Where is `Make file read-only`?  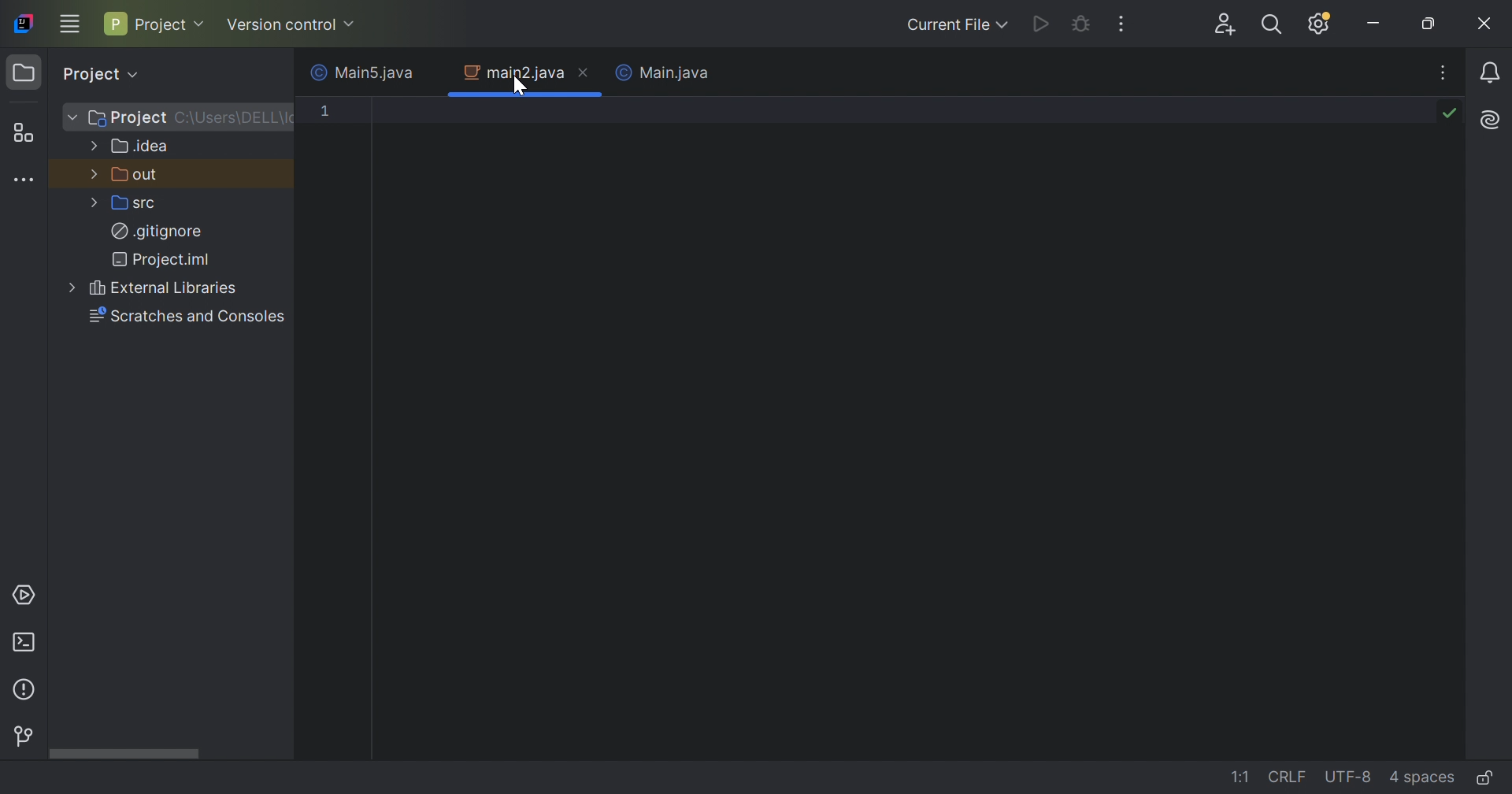 Make file read-only is located at coordinates (1489, 777).